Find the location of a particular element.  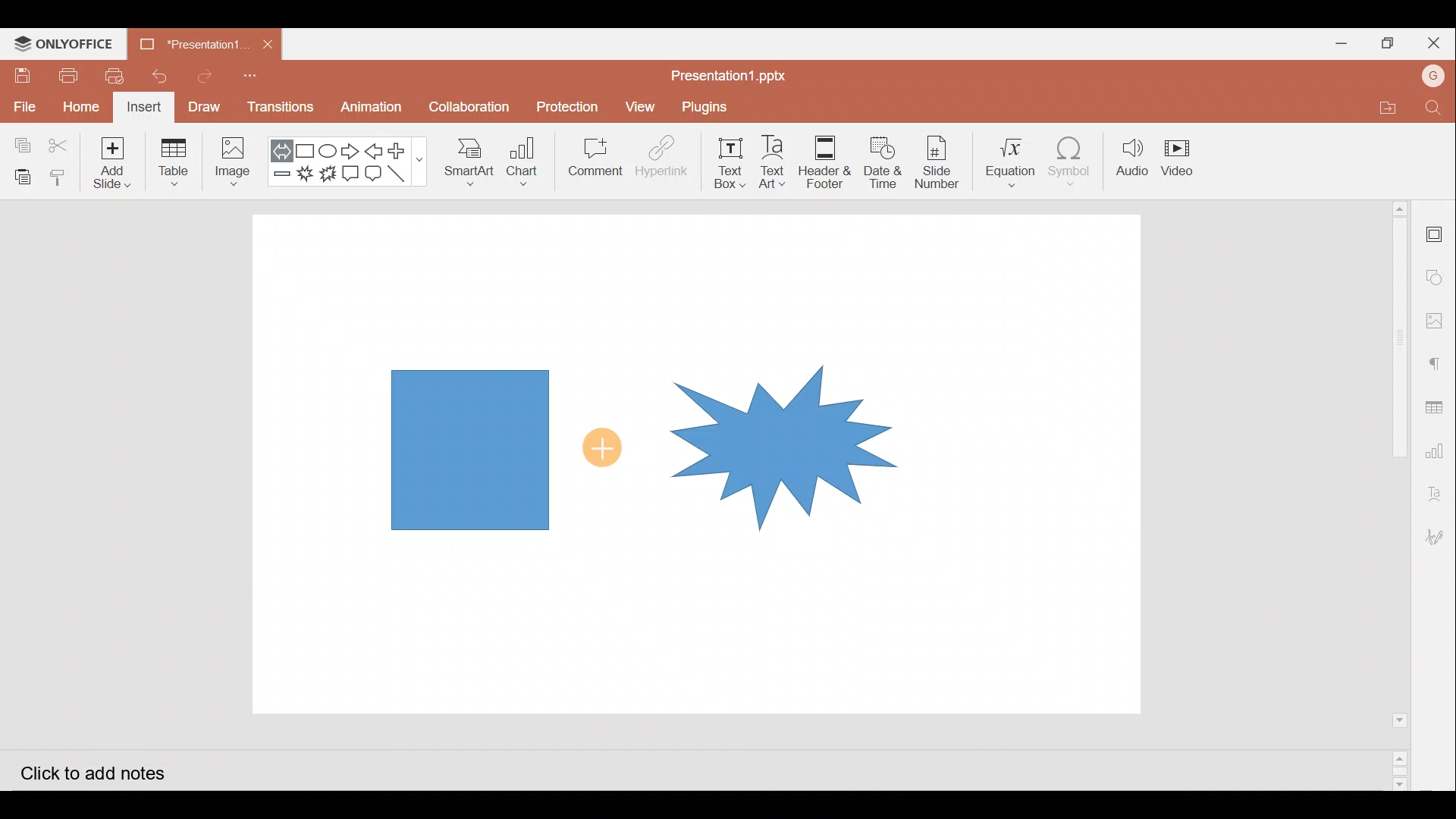

Paste is located at coordinates (21, 173).